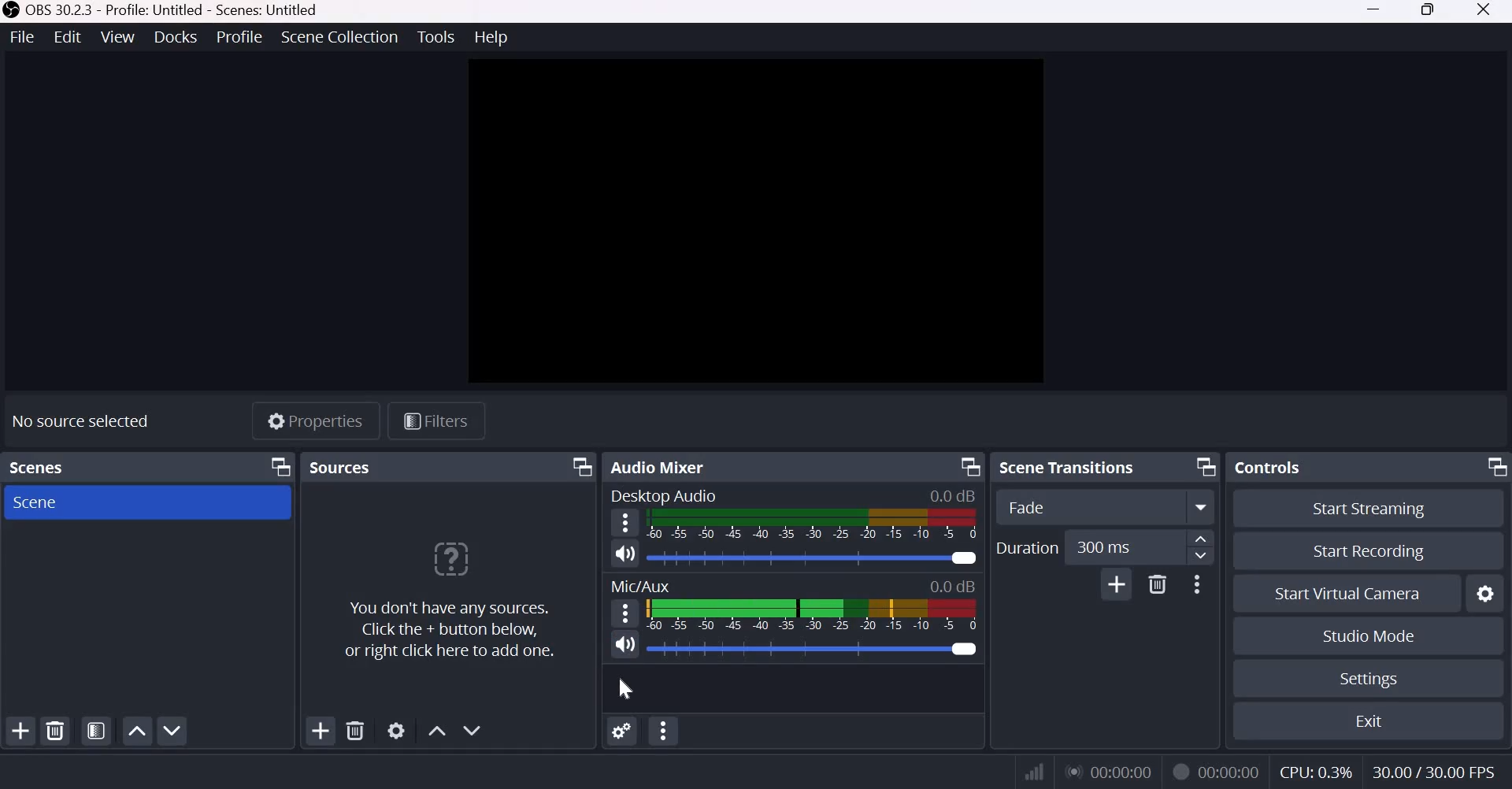 This screenshot has width=1512, height=789. What do you see at coordinates (136, 732) in the screenshot?
I see `Move scene up` at bounding box center [136, 732].